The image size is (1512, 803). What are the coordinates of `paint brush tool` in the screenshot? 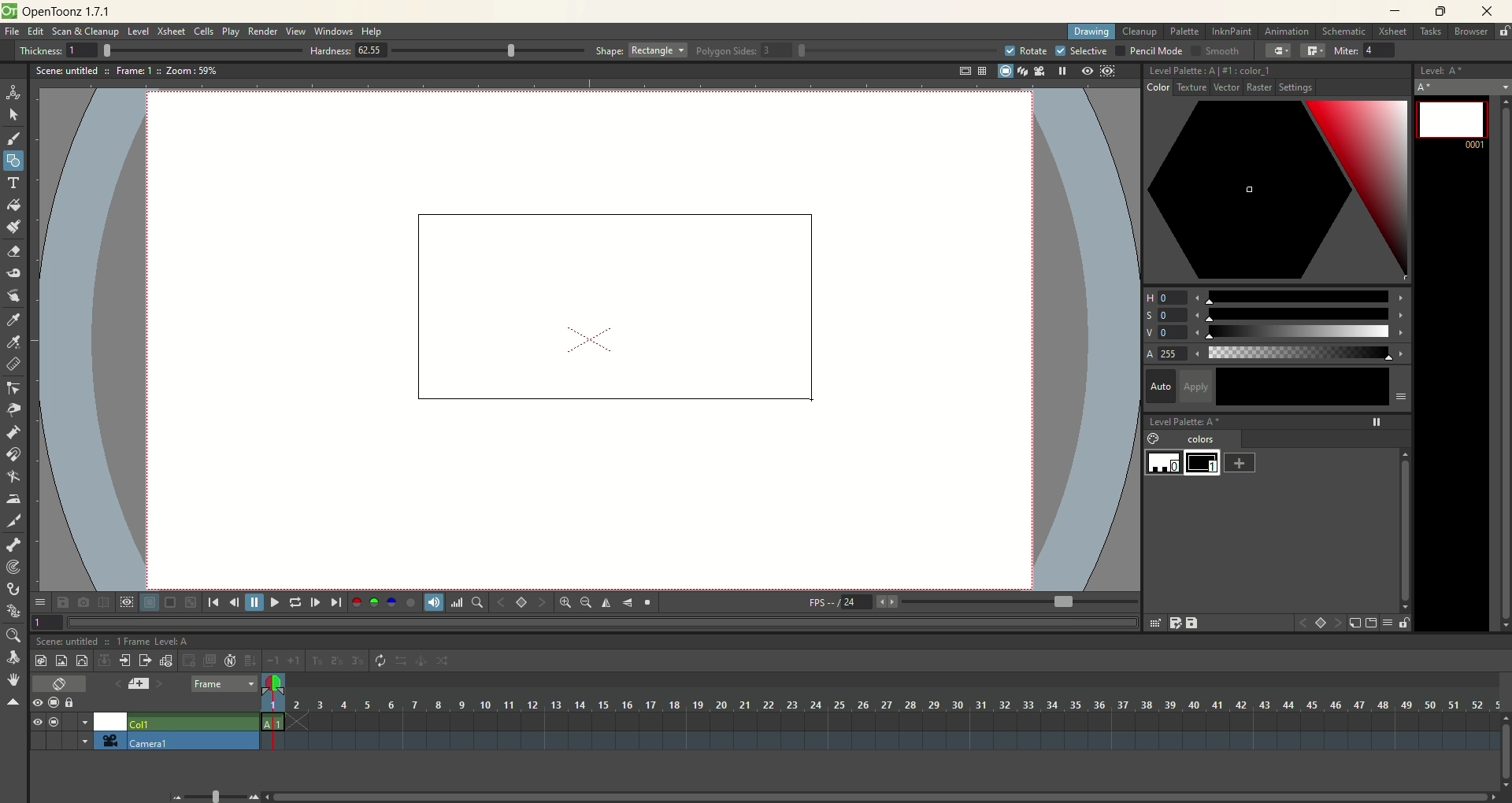 It's located at (13, 225).